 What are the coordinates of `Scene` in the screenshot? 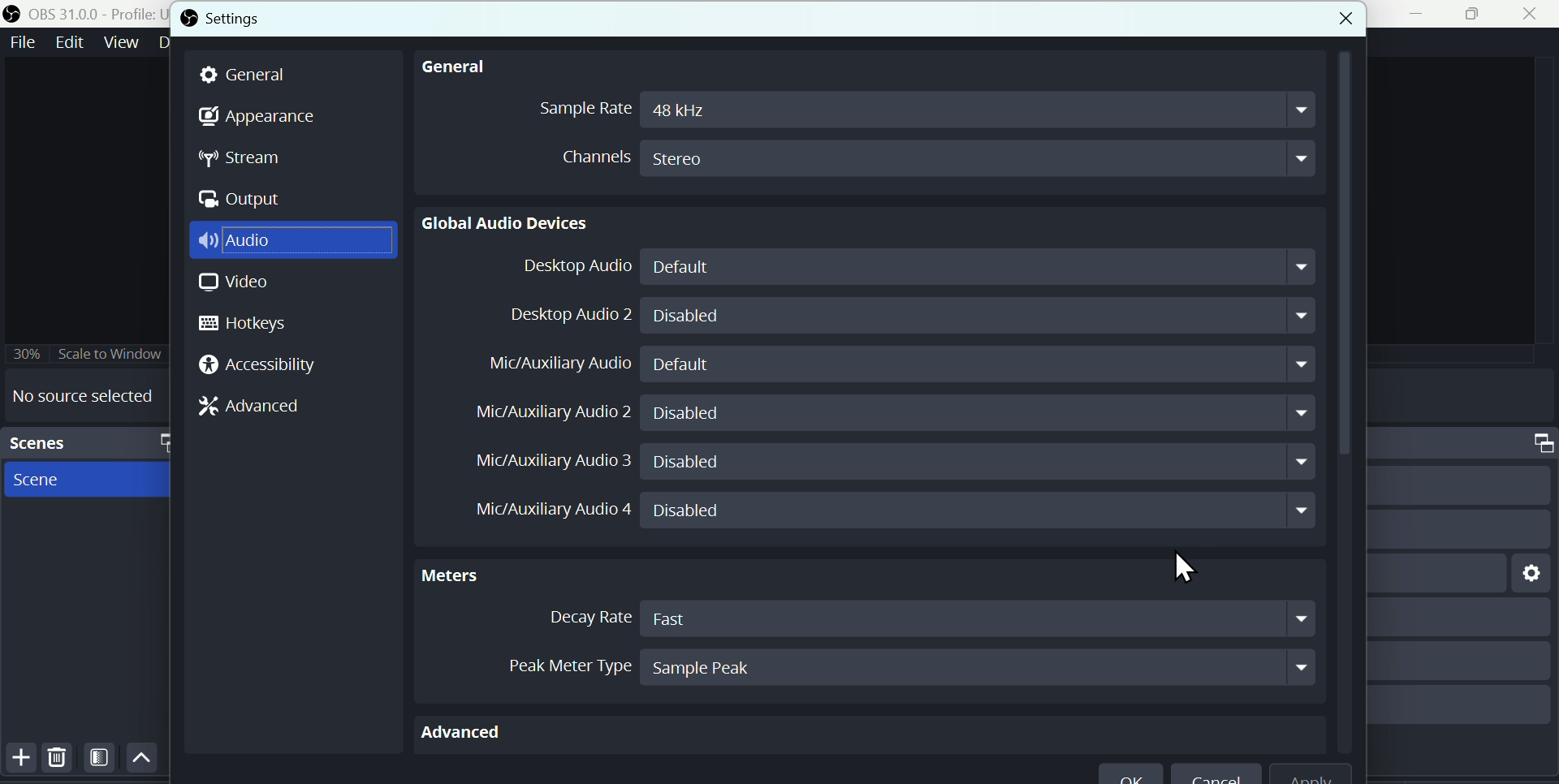 It's located at (46, 482).